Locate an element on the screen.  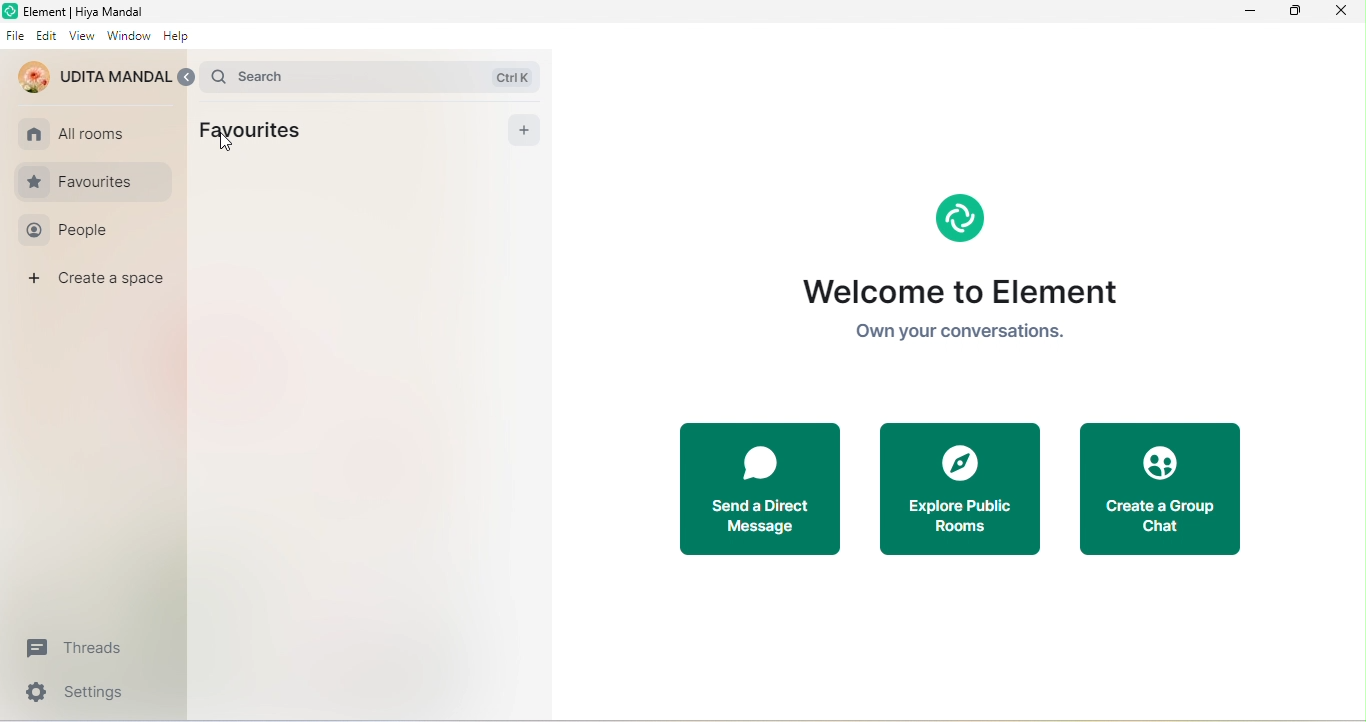
view is located at coordinates (82, 37).